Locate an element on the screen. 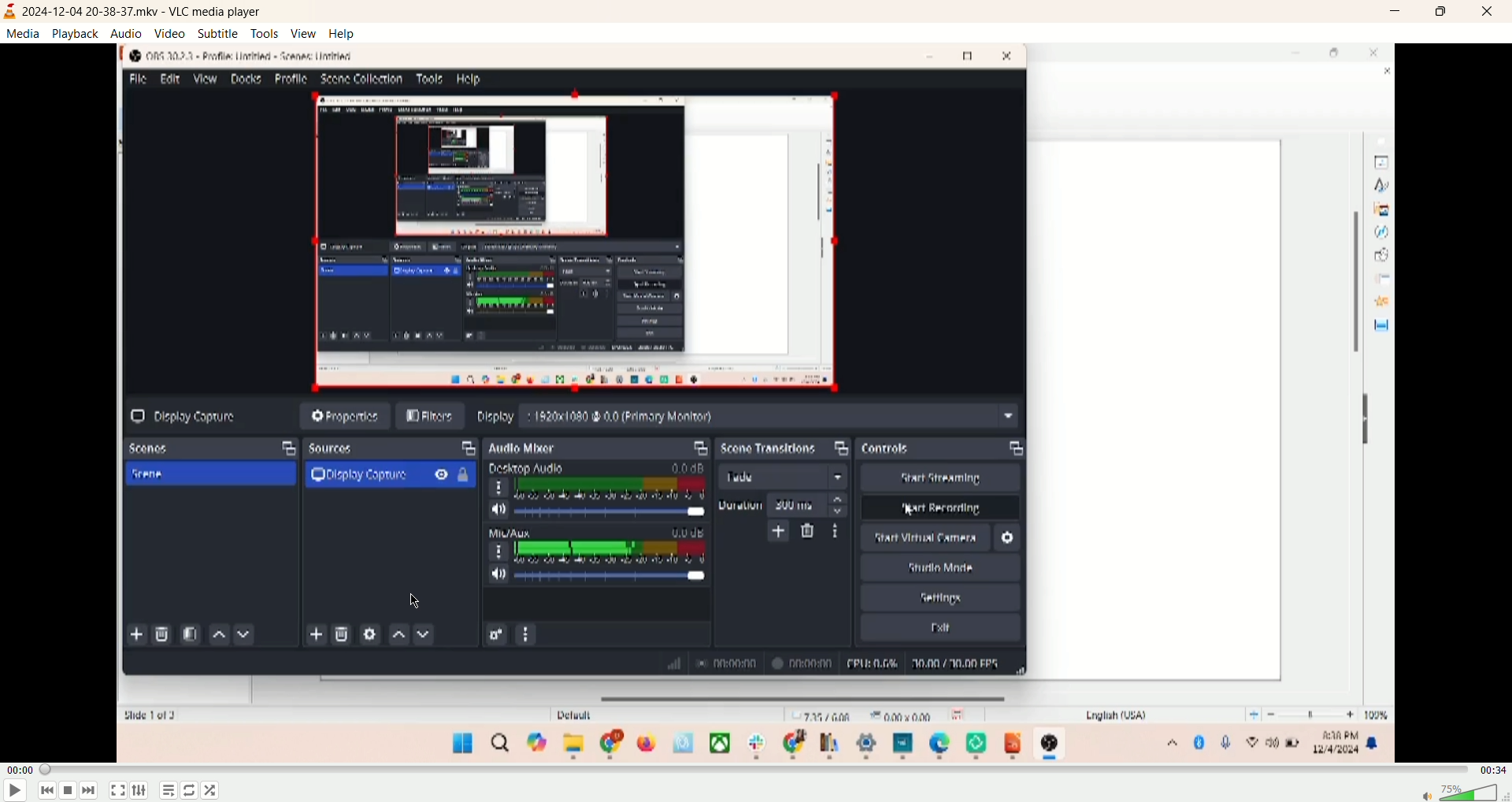 The image size is (1512, 802). remaining time is located at coordinates (1494, 774).